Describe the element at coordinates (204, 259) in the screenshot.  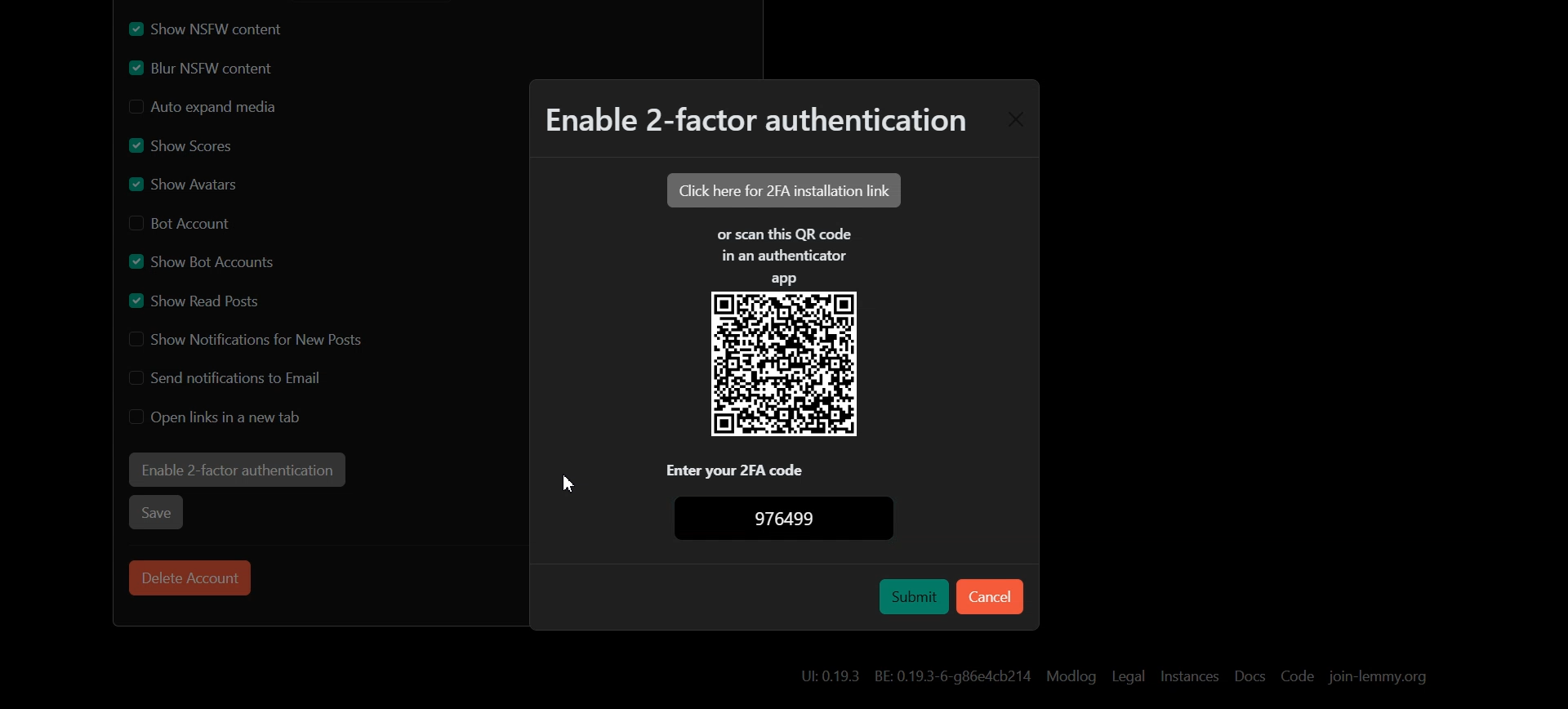
I see `Enable Show Bot Account` at that location.